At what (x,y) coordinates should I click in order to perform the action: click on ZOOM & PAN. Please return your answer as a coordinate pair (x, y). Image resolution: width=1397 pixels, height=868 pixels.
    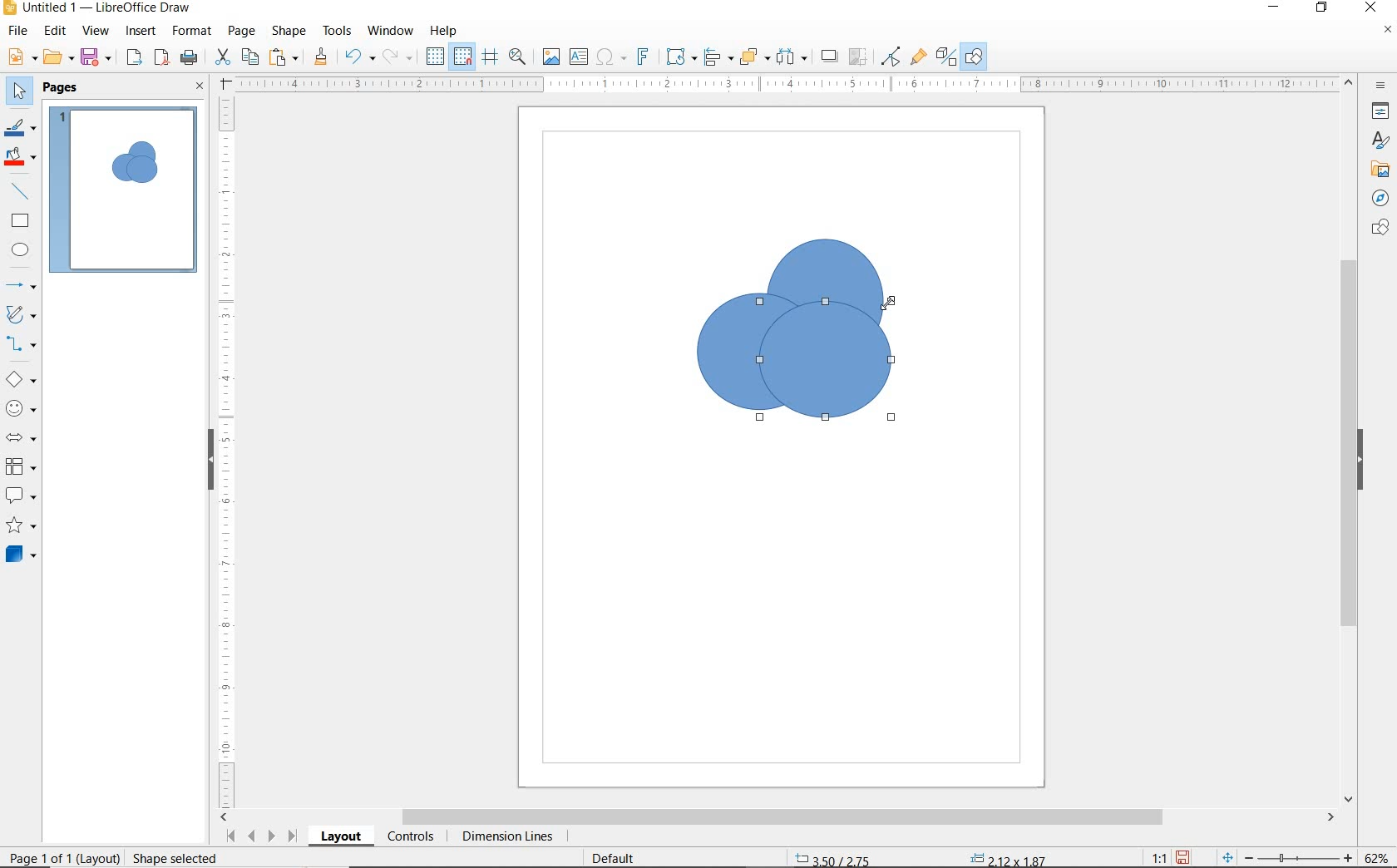
    Looking at the image, I should click on (517, 56).